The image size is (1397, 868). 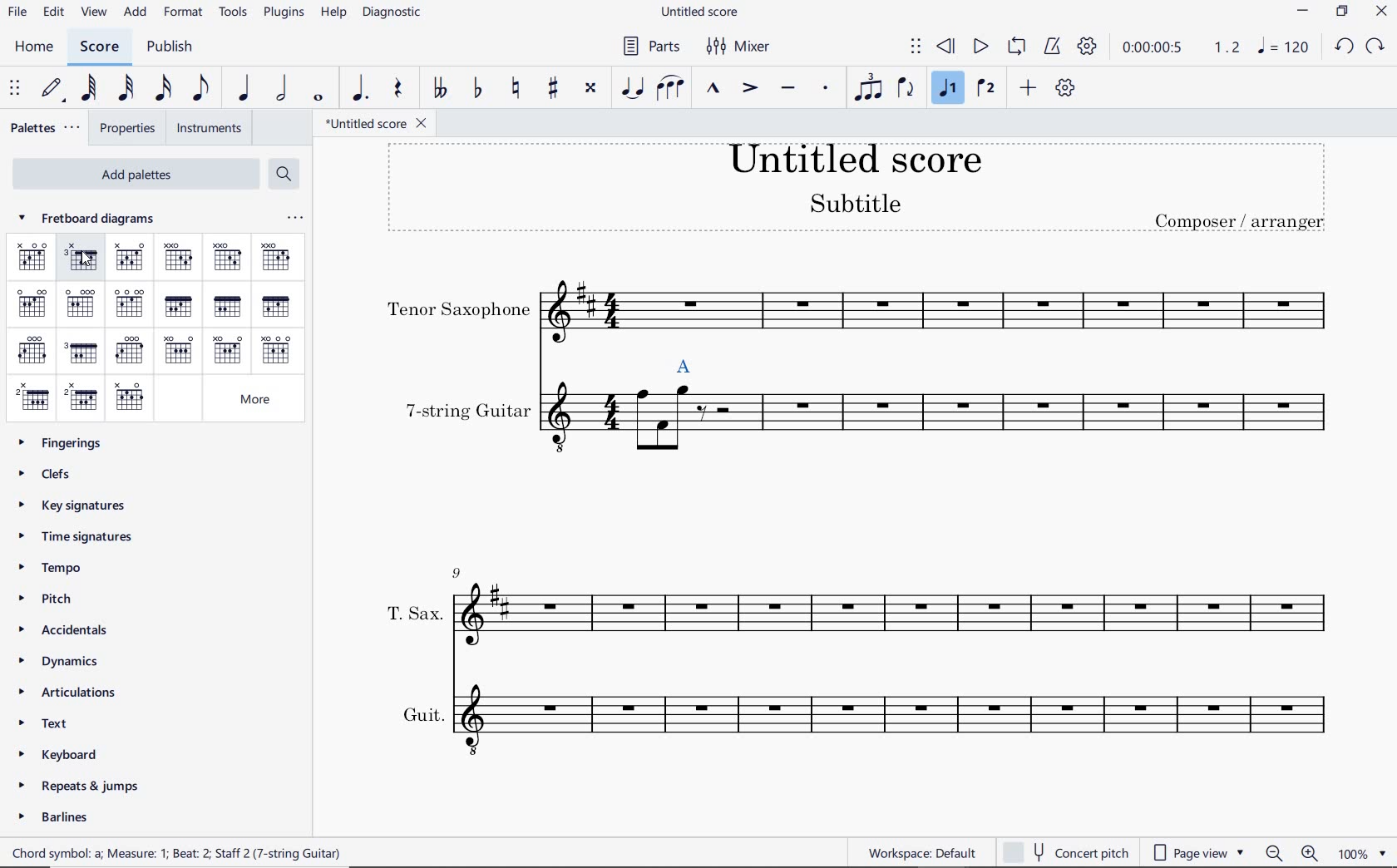 What do you see at coordinates (869, 89) in the screenshot?
I see `TUPLET` at bounding box center [869, 89].